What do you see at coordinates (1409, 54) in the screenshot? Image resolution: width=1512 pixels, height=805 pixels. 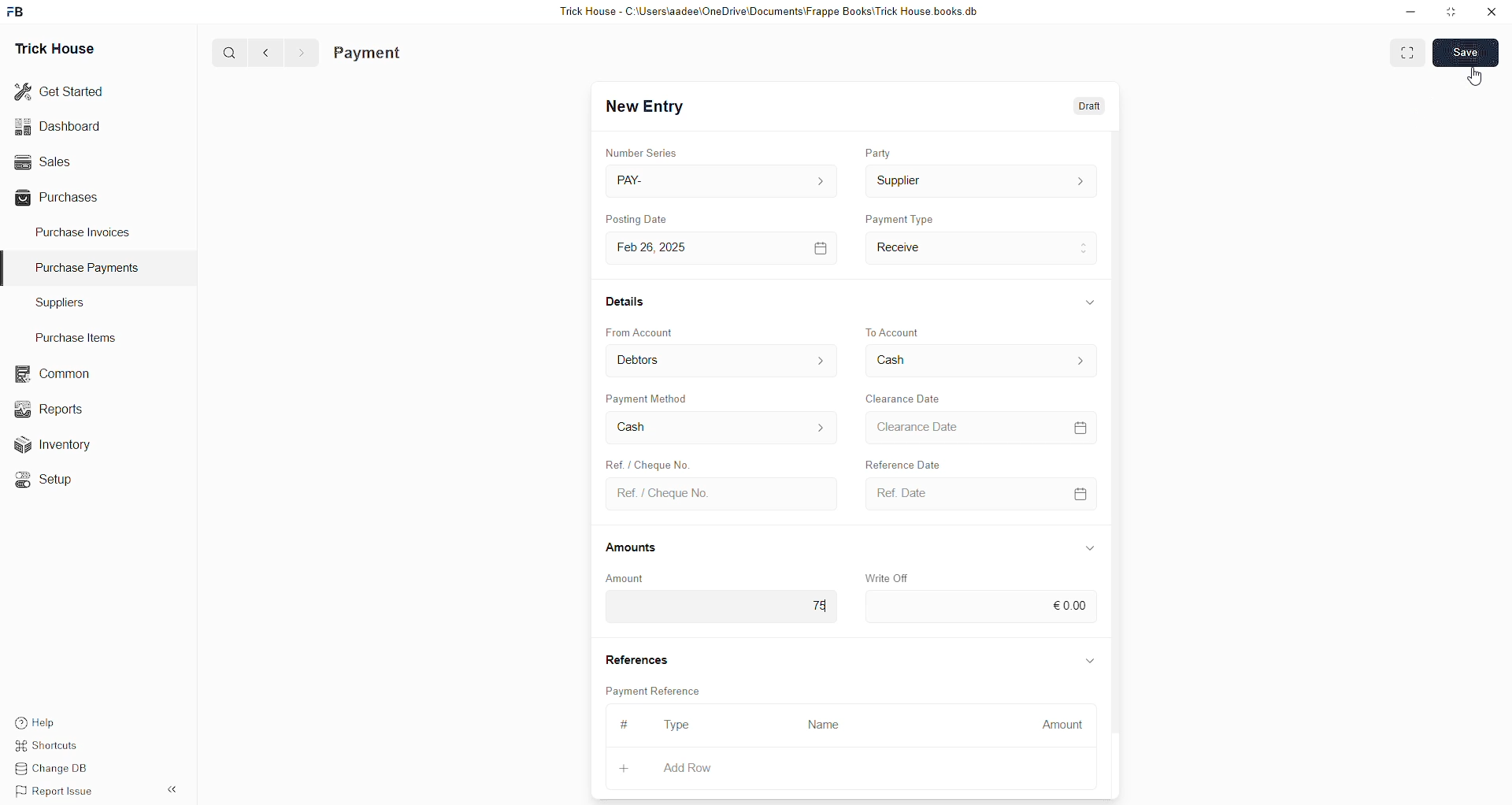 I see `toggle between form and full width` at bounding box center [1409, 54].